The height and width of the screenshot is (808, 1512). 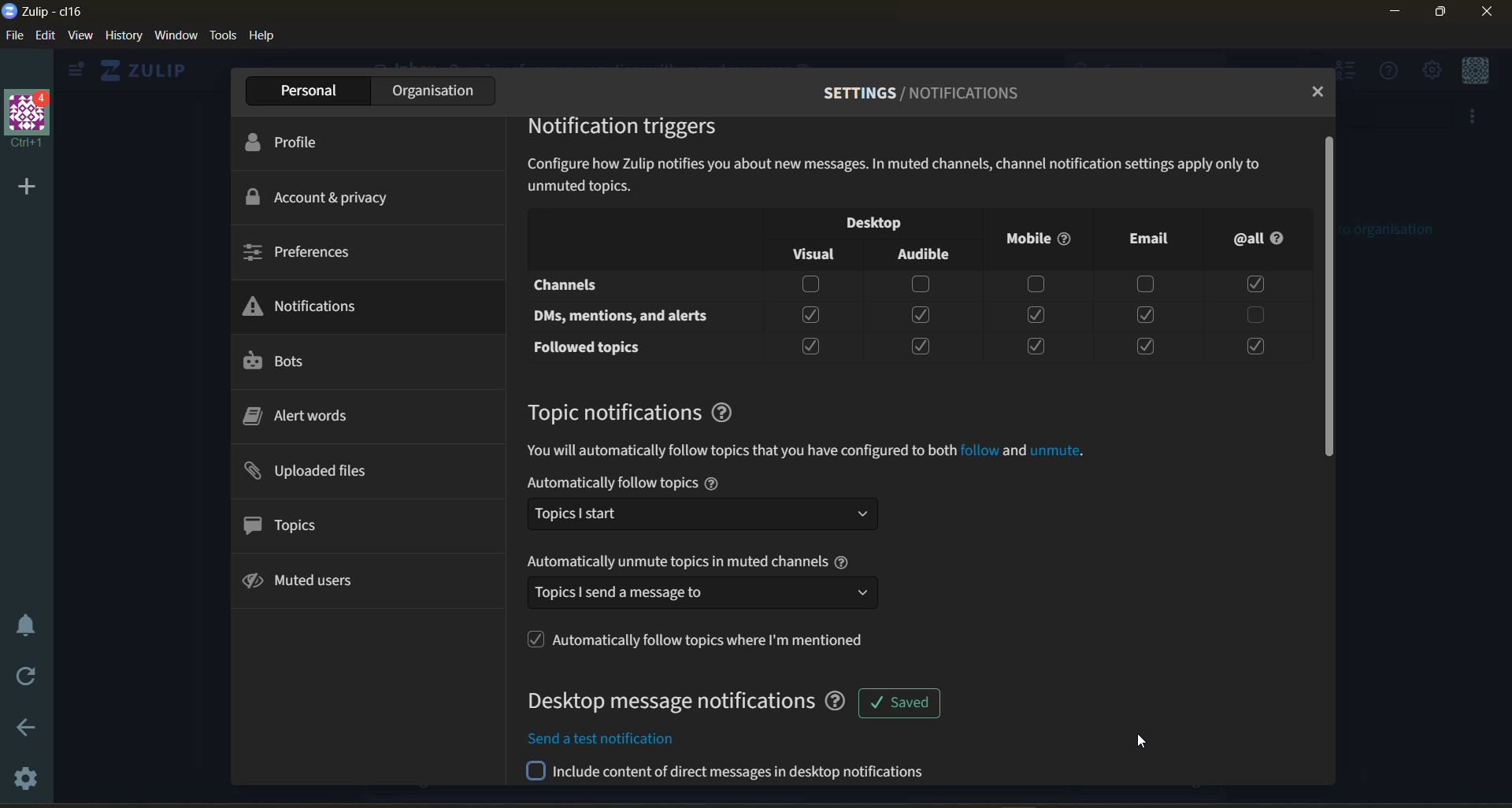 I want to click on Channels, so click(x=574, y=285).